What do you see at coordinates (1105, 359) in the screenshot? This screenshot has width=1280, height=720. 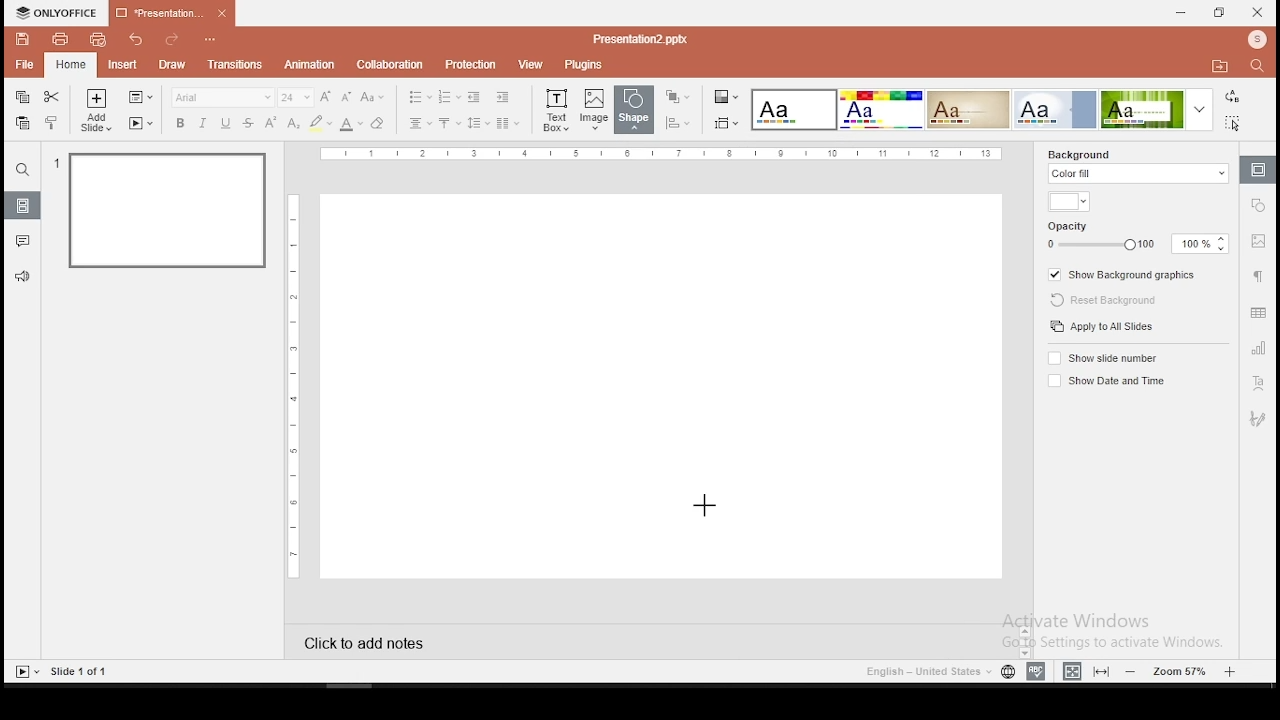 I see `show slide number on/off` at bounding box center [1105, 359].